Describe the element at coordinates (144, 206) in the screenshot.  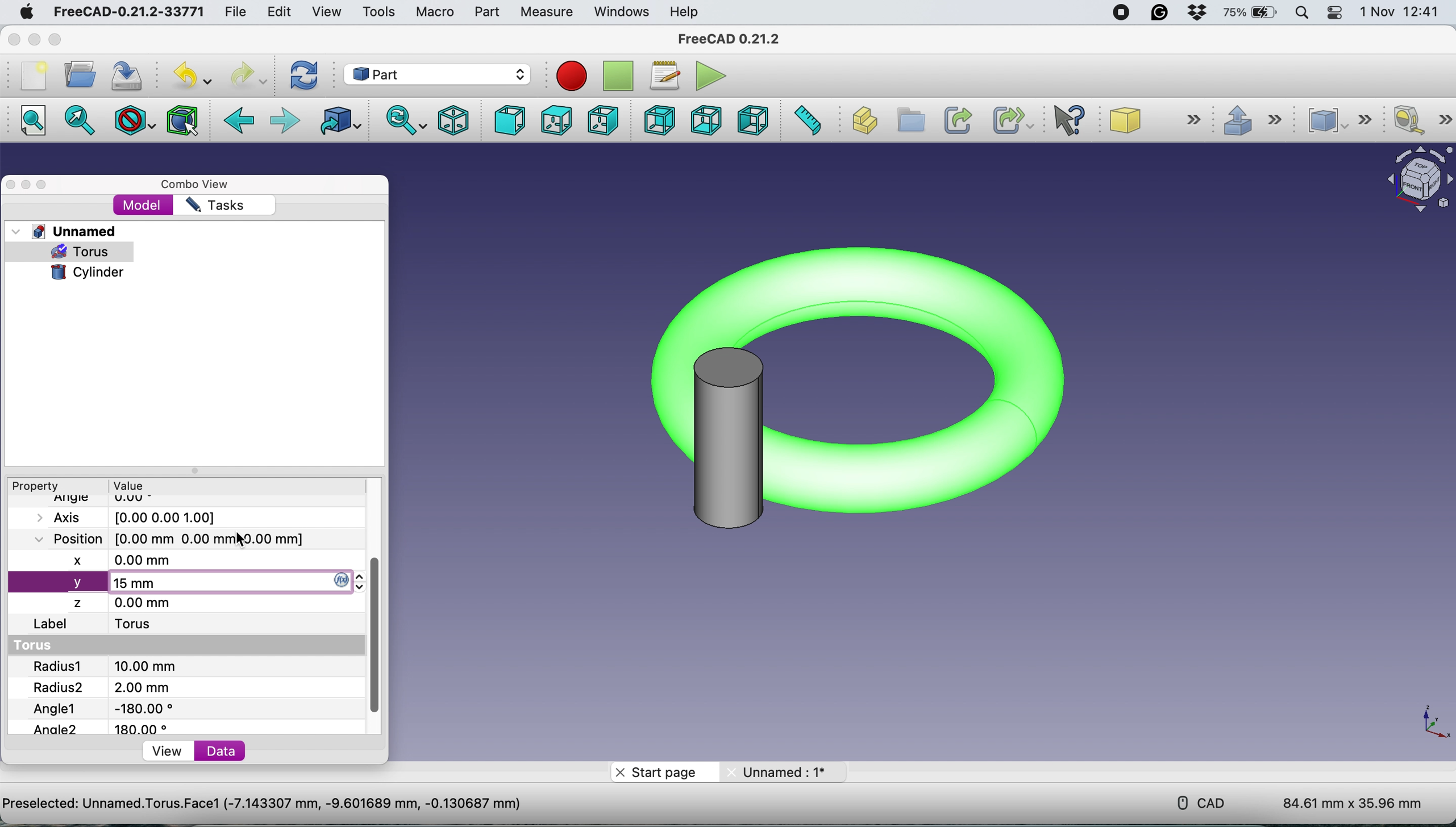
I see `model` at that location.